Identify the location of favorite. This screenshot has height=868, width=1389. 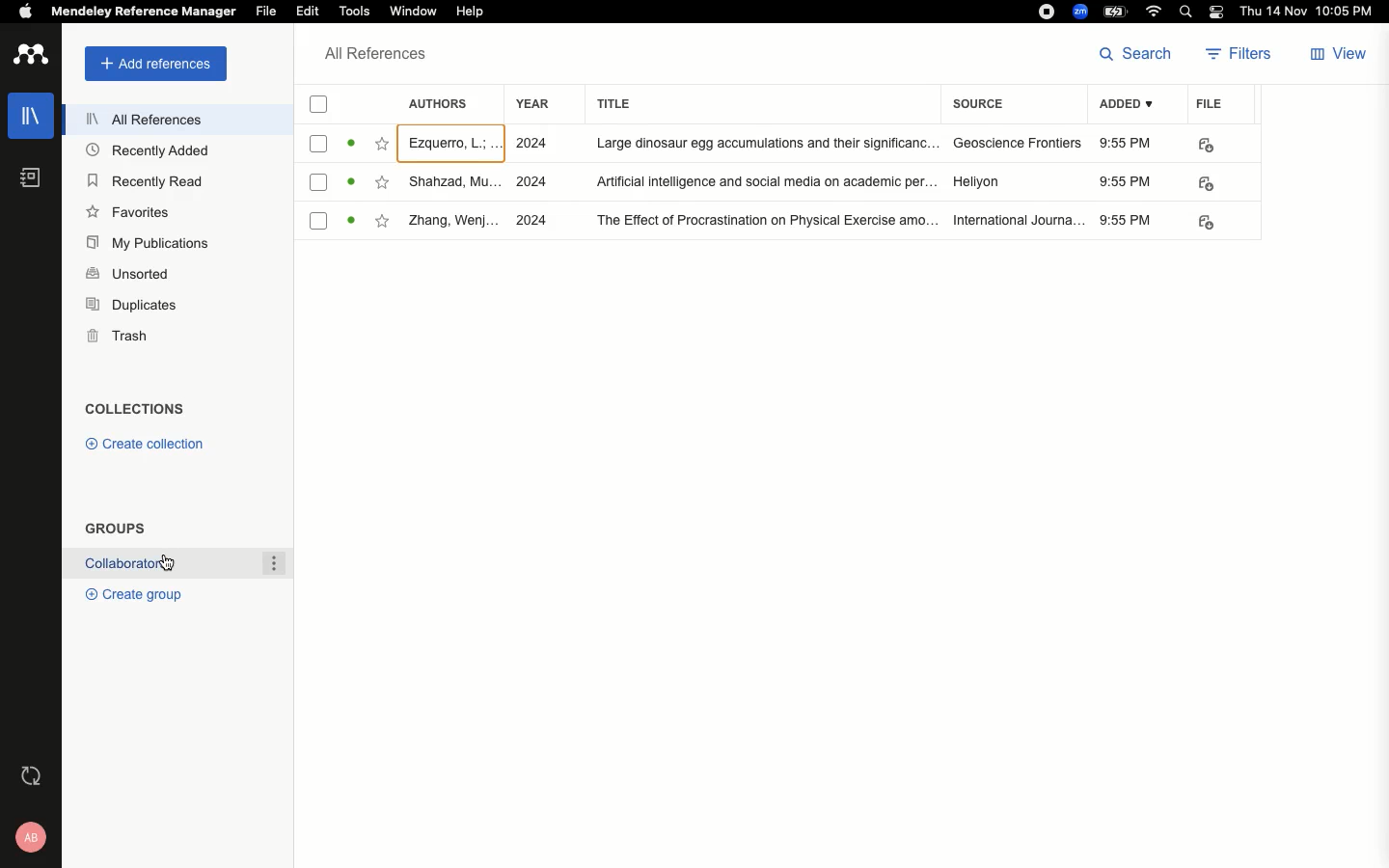
(385, 220).